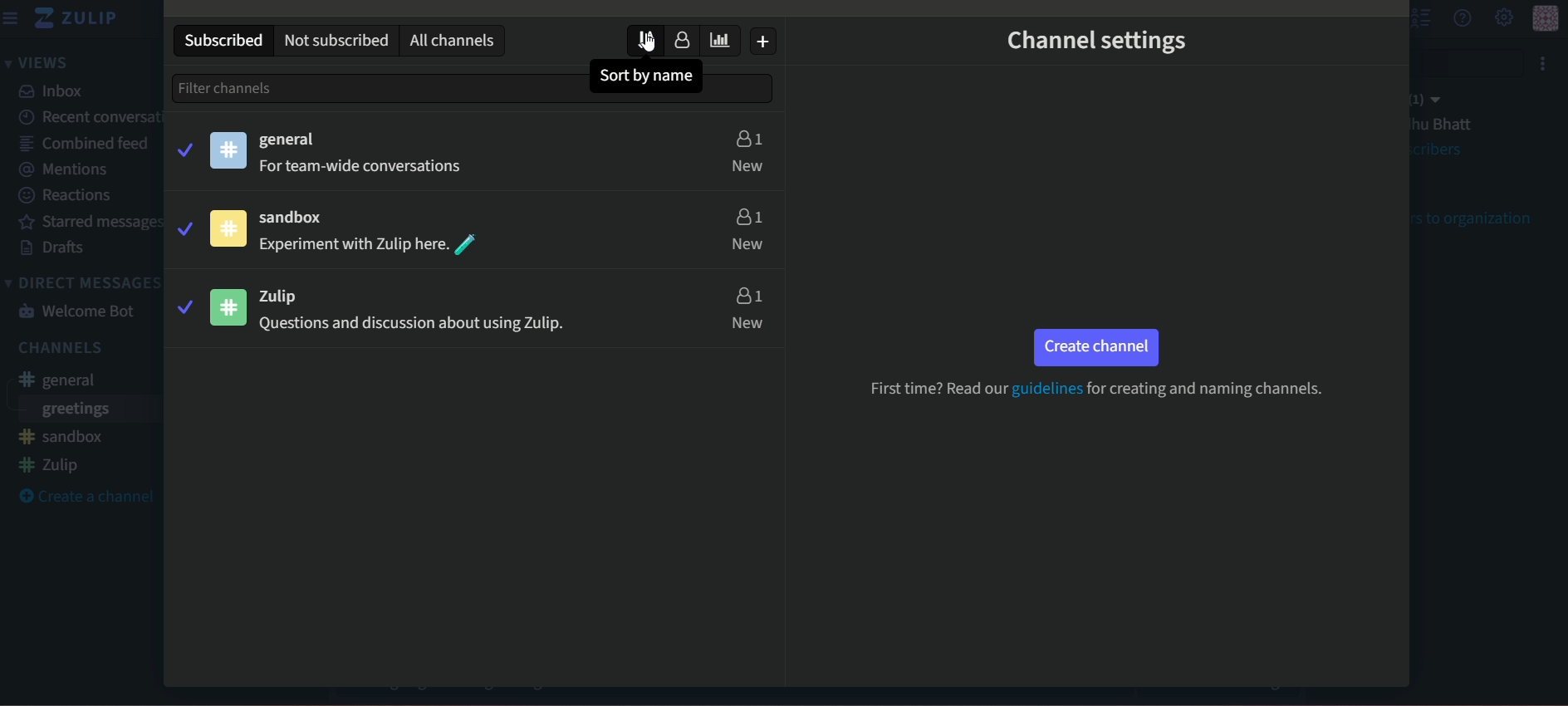 The height and width of the screenshot is (706, 1568). What do you see at coordinates (90, 496) in the screenshot?
I see `create` at bounding box center [90, 496].